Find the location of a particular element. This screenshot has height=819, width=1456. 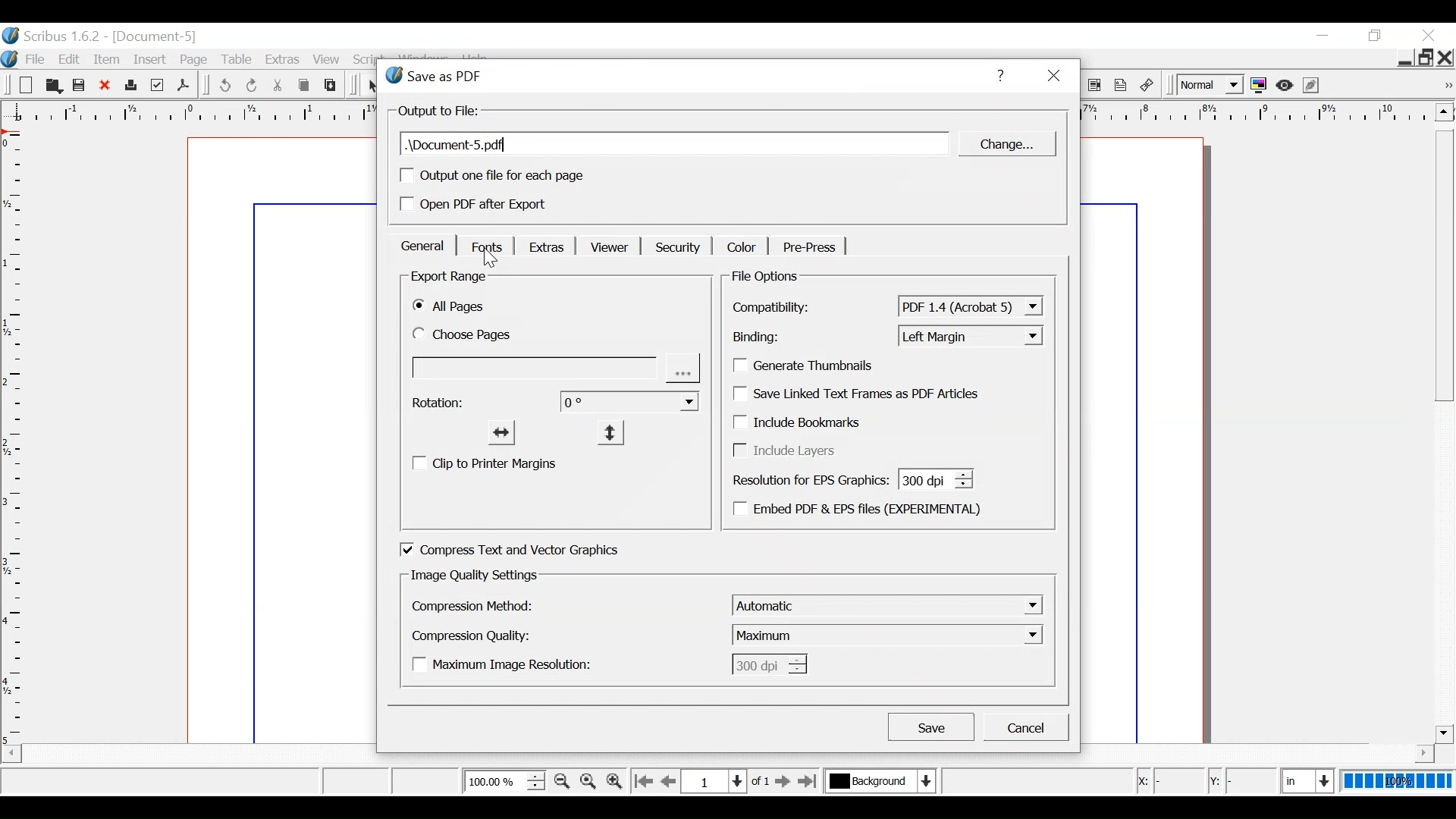

Item is located at coordinates (108, 59).